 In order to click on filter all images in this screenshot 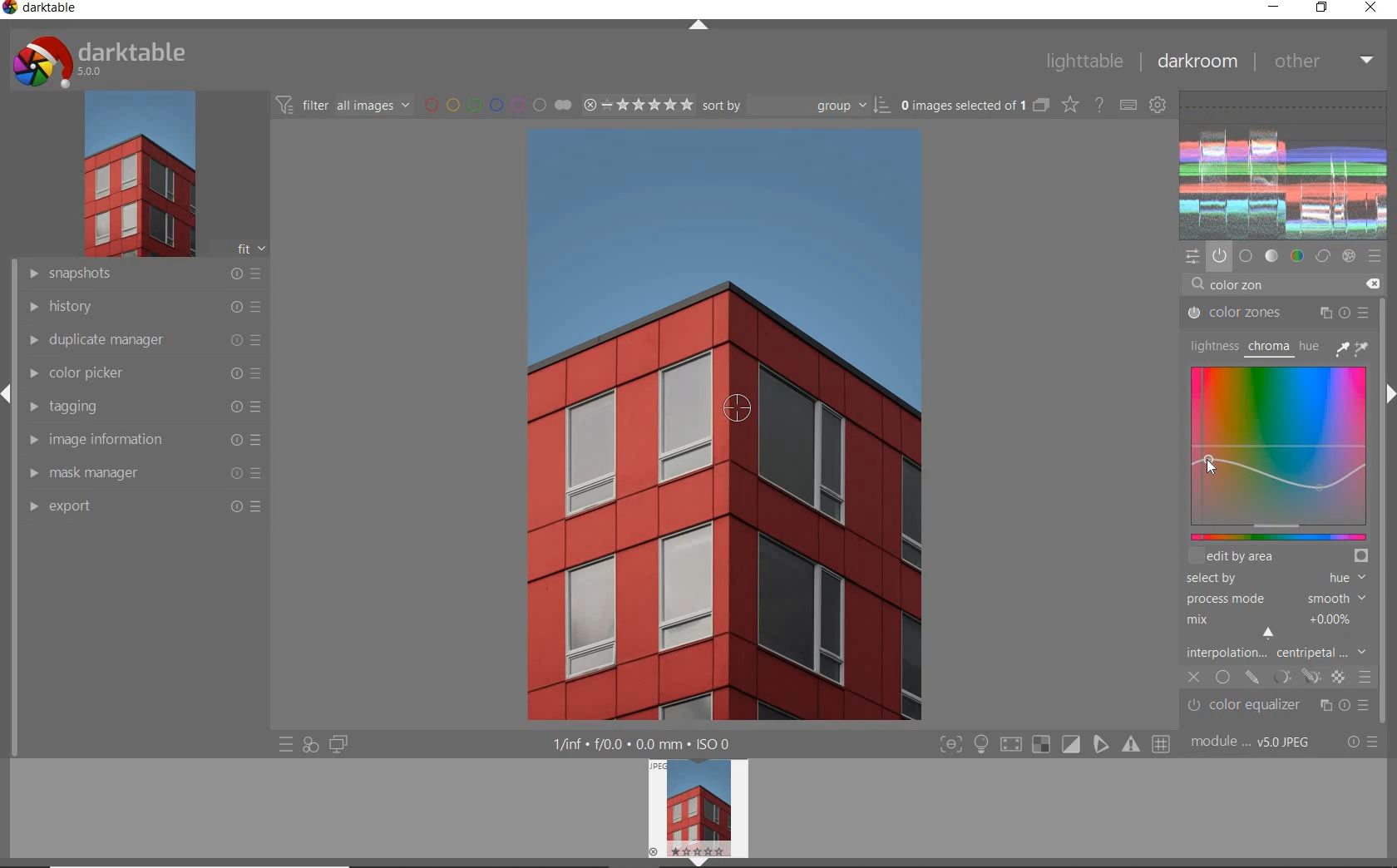, I will do `click(344, 105)`.